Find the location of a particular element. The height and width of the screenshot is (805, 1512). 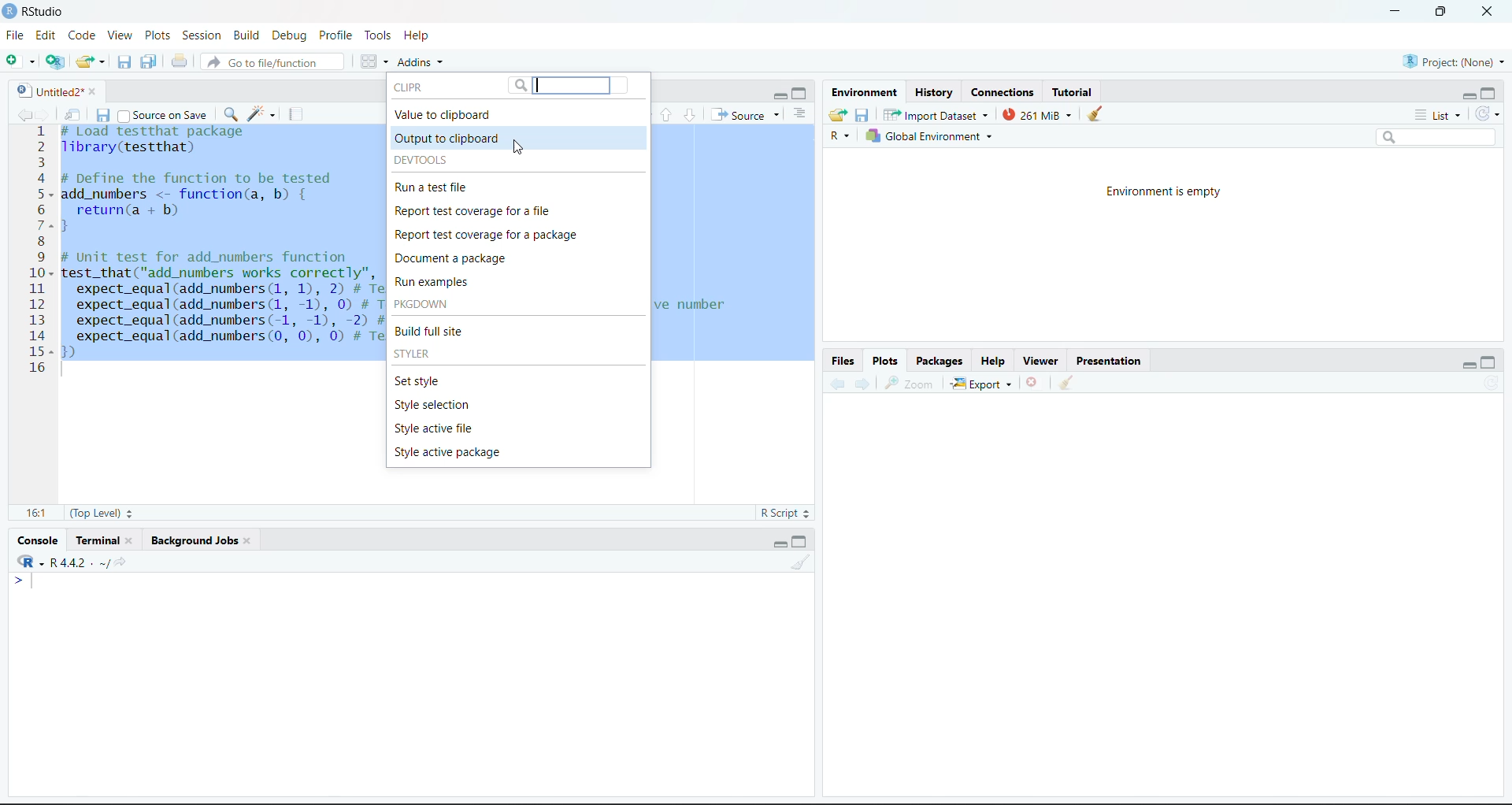

Numbering line is located at coordinates (39, 252).